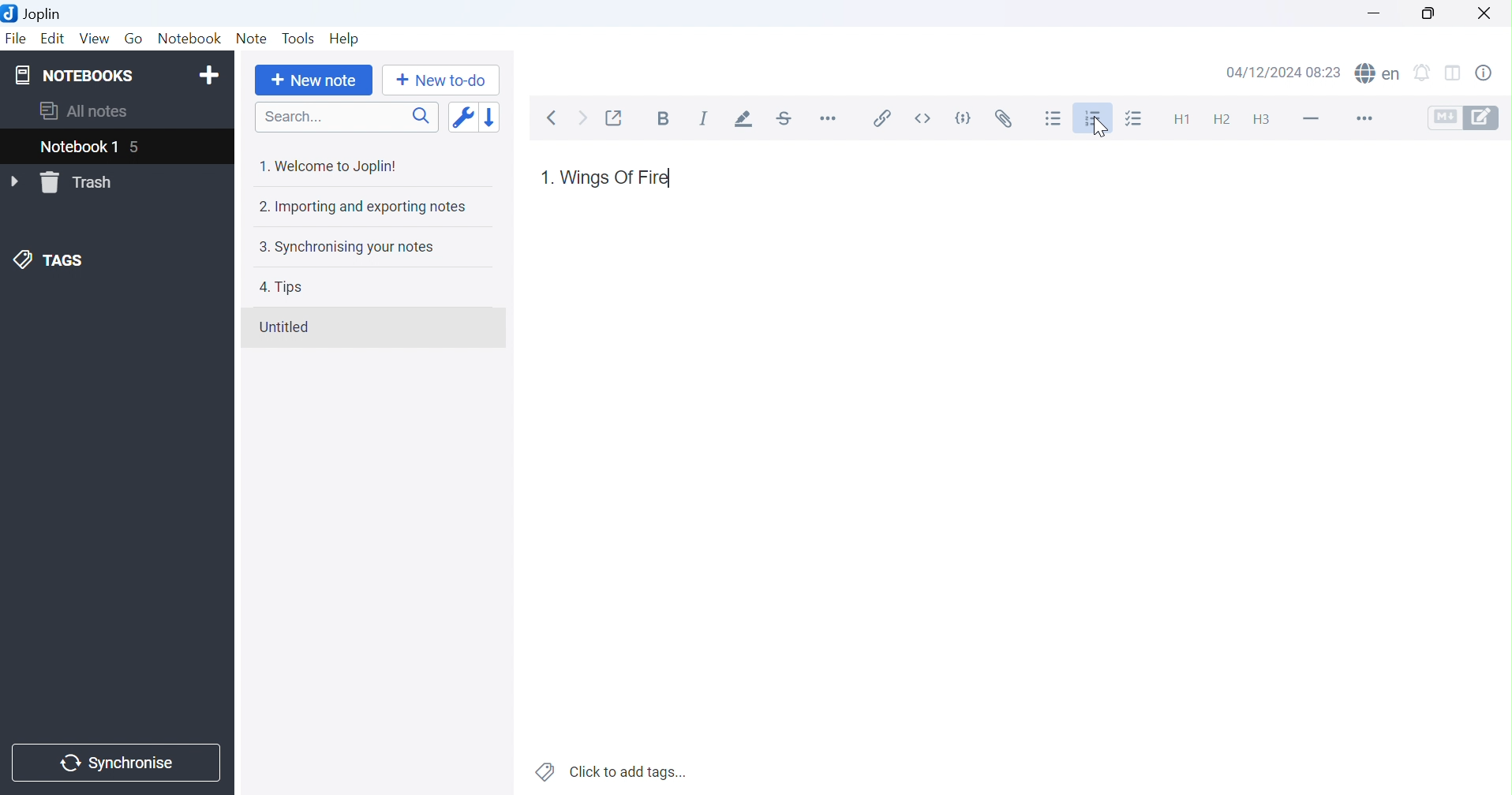 The image size is (1512, 795). What do you see at coordinates (1491, 72) in the screenshot?
I see `Note properties` at bounding box center [1491, 72].